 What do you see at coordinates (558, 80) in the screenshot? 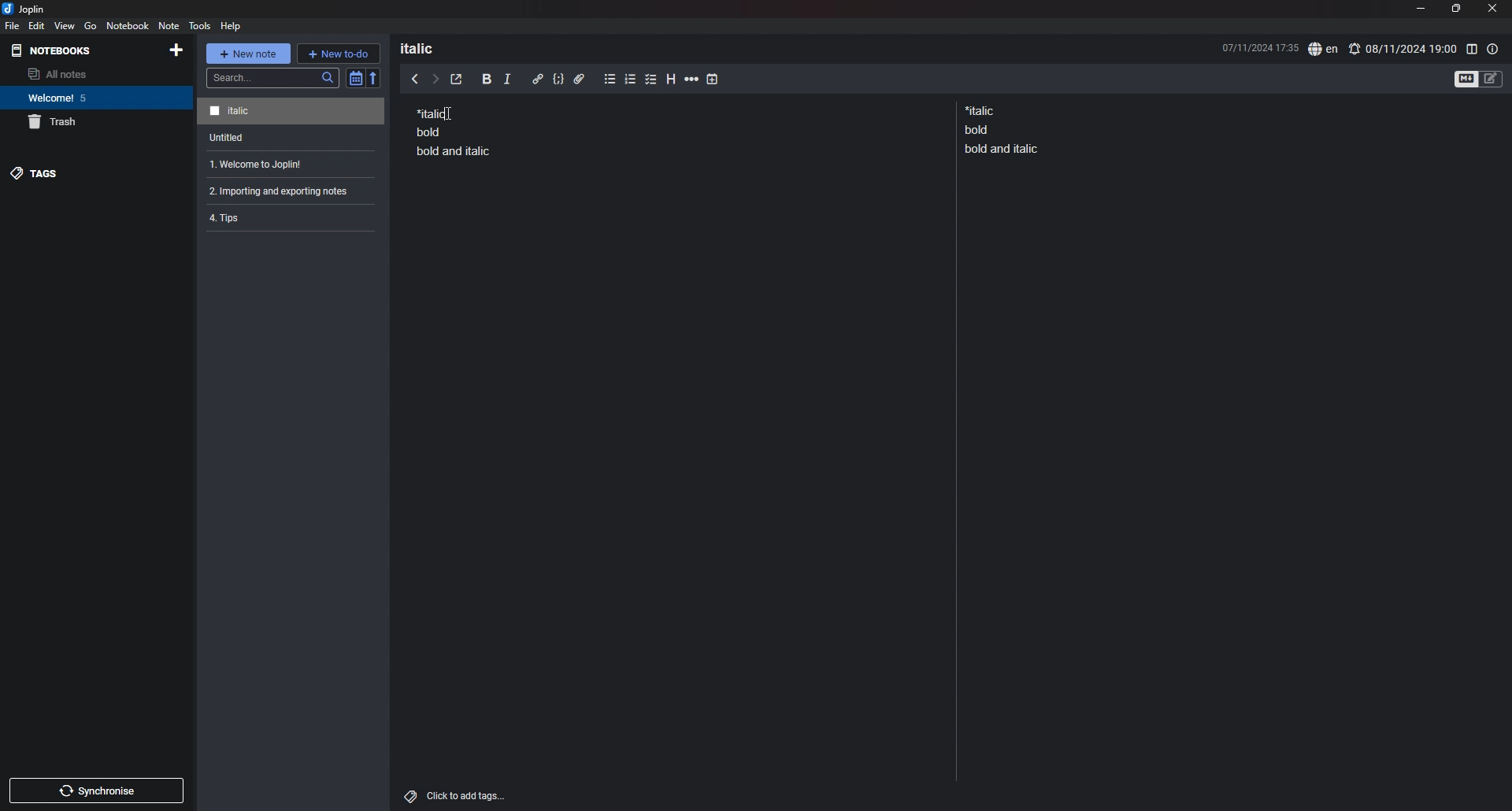
I see `code` at bounding box center [558, 80].